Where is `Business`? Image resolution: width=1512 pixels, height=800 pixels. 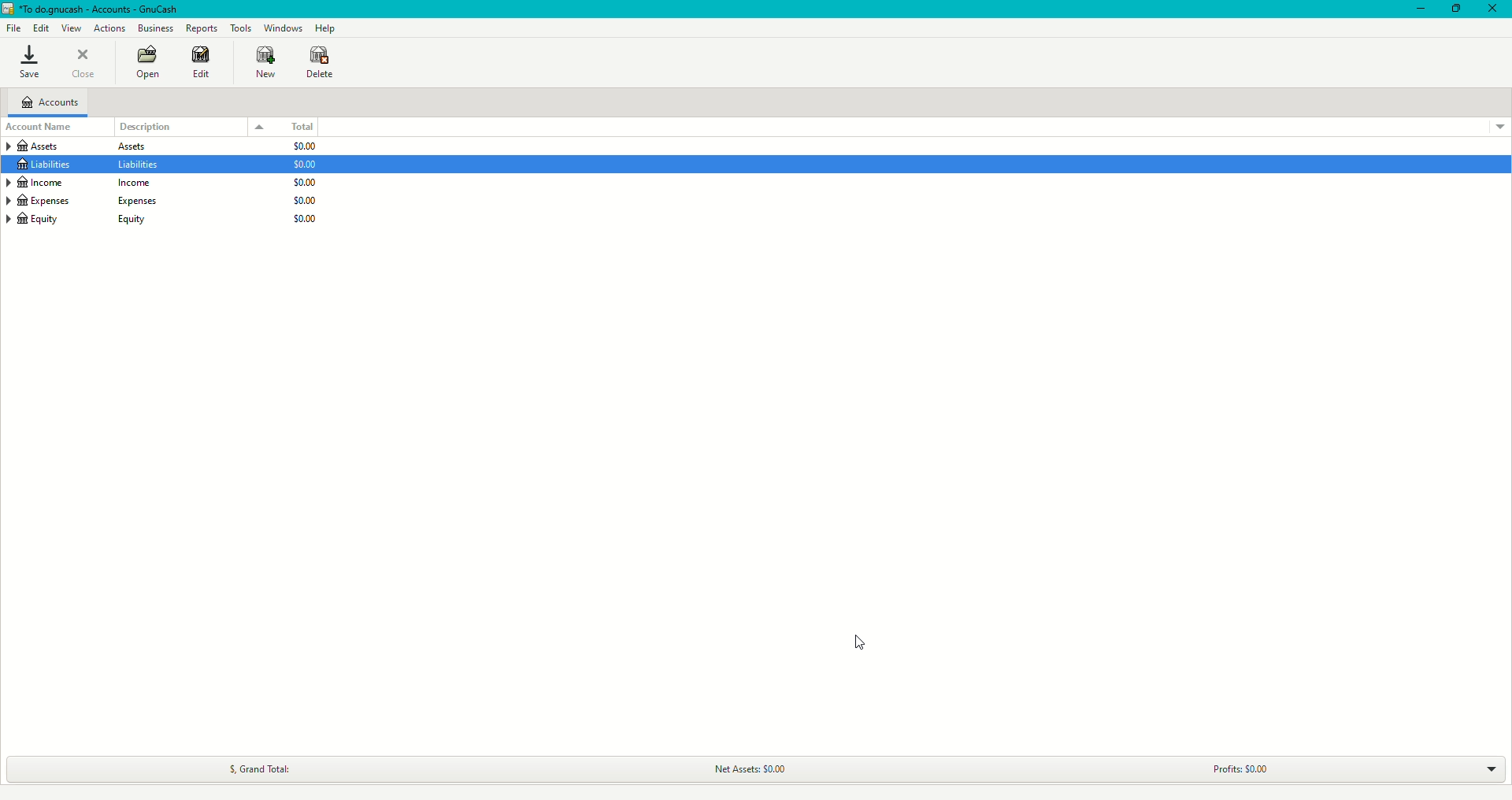 Business is located at coordinates (156, 28).